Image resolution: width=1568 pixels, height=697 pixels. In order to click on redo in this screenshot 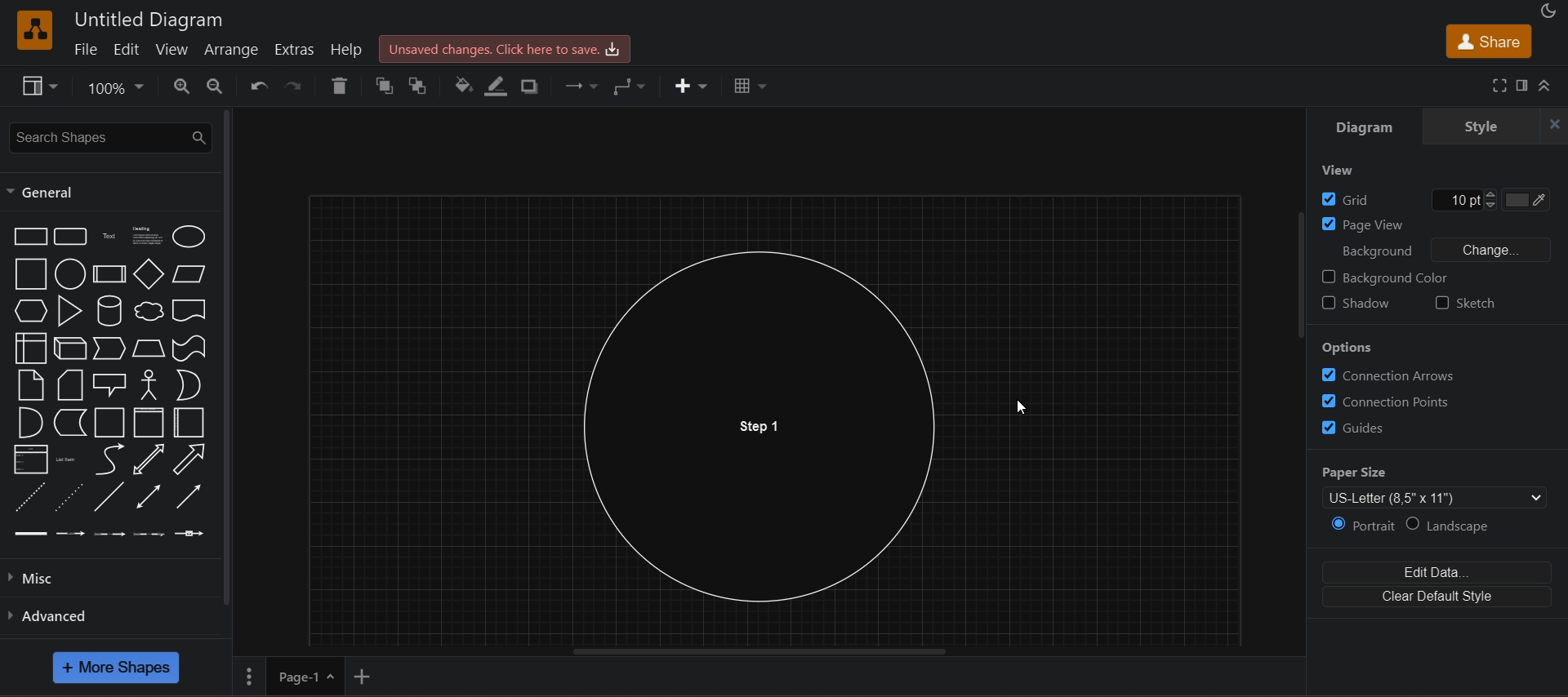, I will do `click(256, 89)`.